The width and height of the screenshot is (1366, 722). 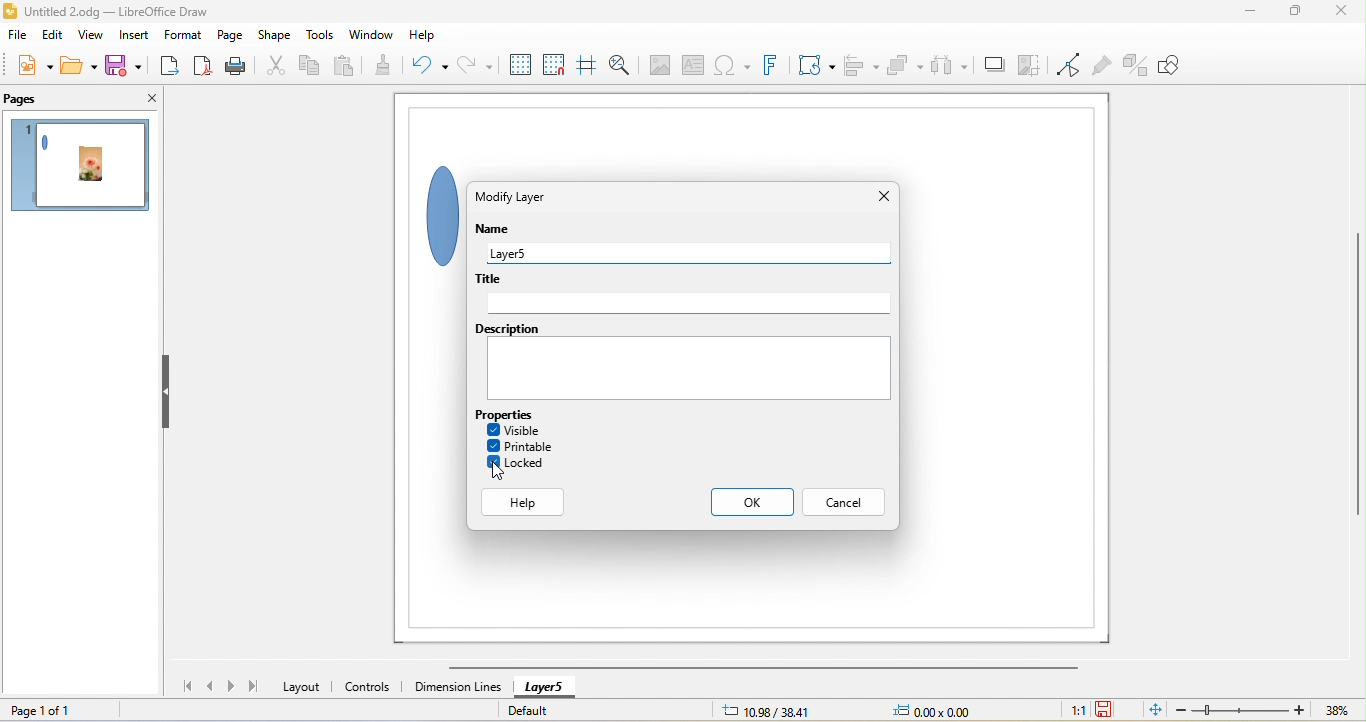 What do you see at coordinates (514, 200) in the screenshot?
I see `modify layer` at bounding box center [514, 200].